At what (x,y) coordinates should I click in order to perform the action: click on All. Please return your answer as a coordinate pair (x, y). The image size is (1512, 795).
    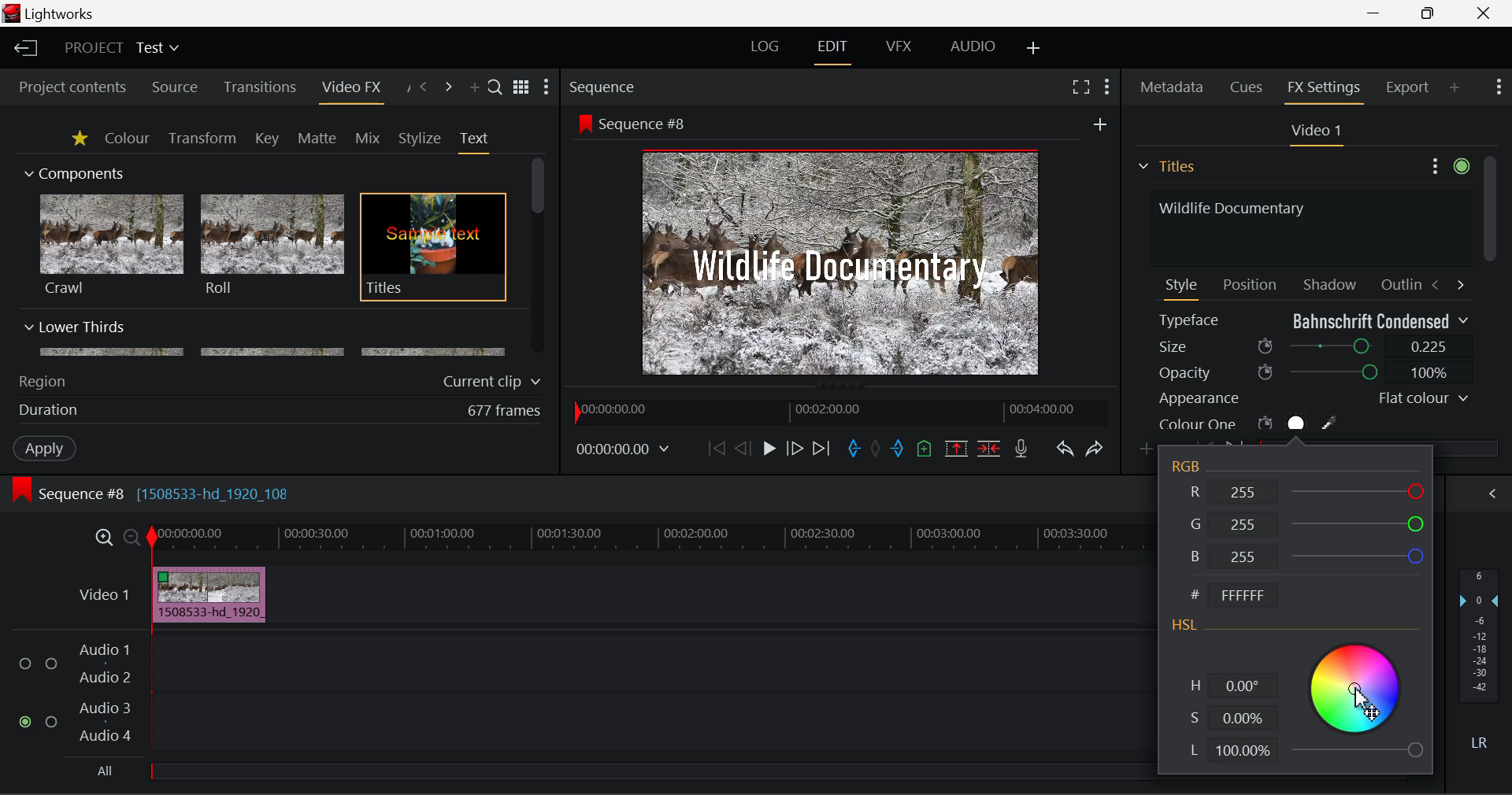
    Looking at the image, I should click on (106, 771).